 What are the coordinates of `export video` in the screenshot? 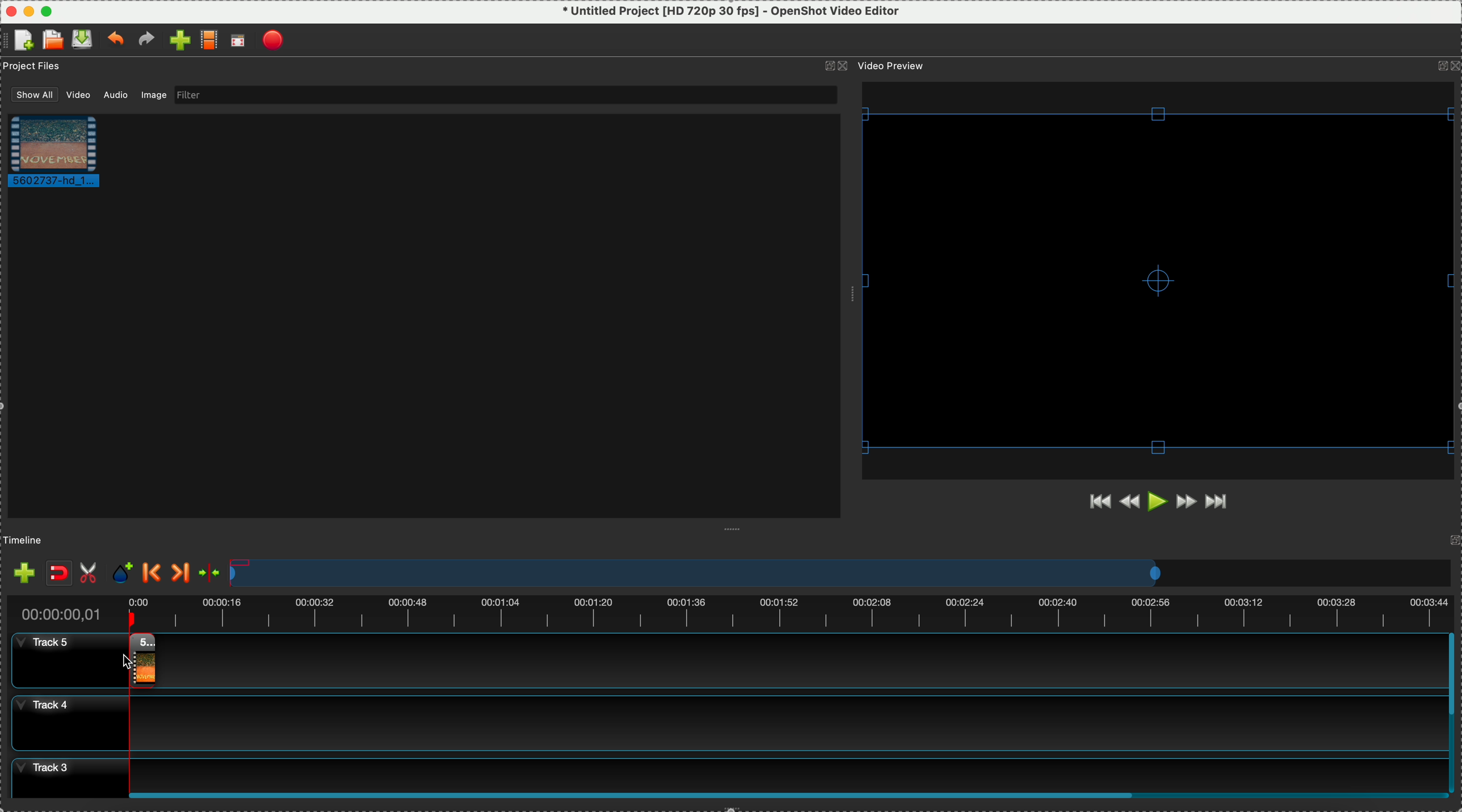 It's located at (275, 40).